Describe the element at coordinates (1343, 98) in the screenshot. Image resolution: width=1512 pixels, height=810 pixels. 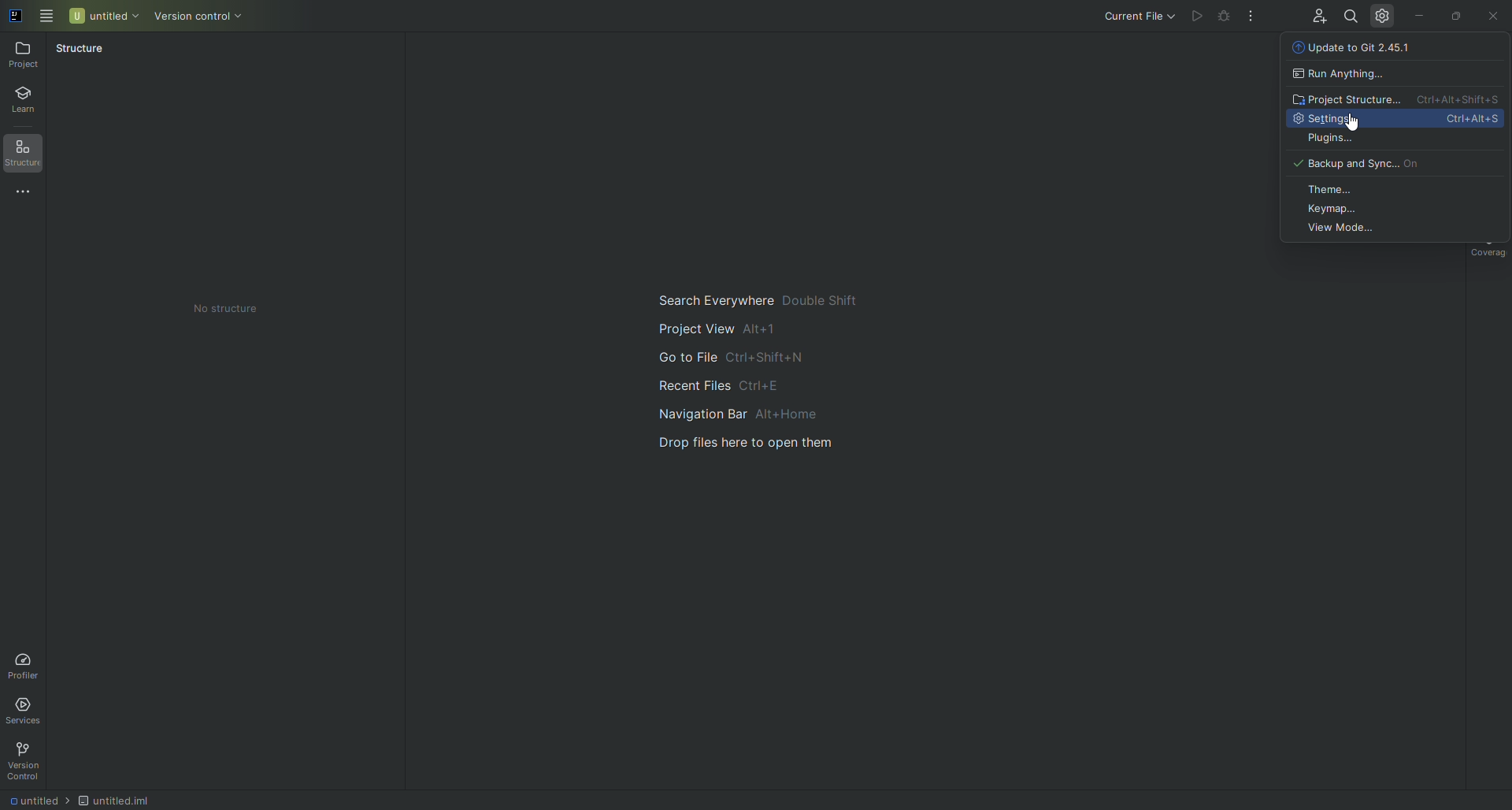
I see `Project structure` at that location.